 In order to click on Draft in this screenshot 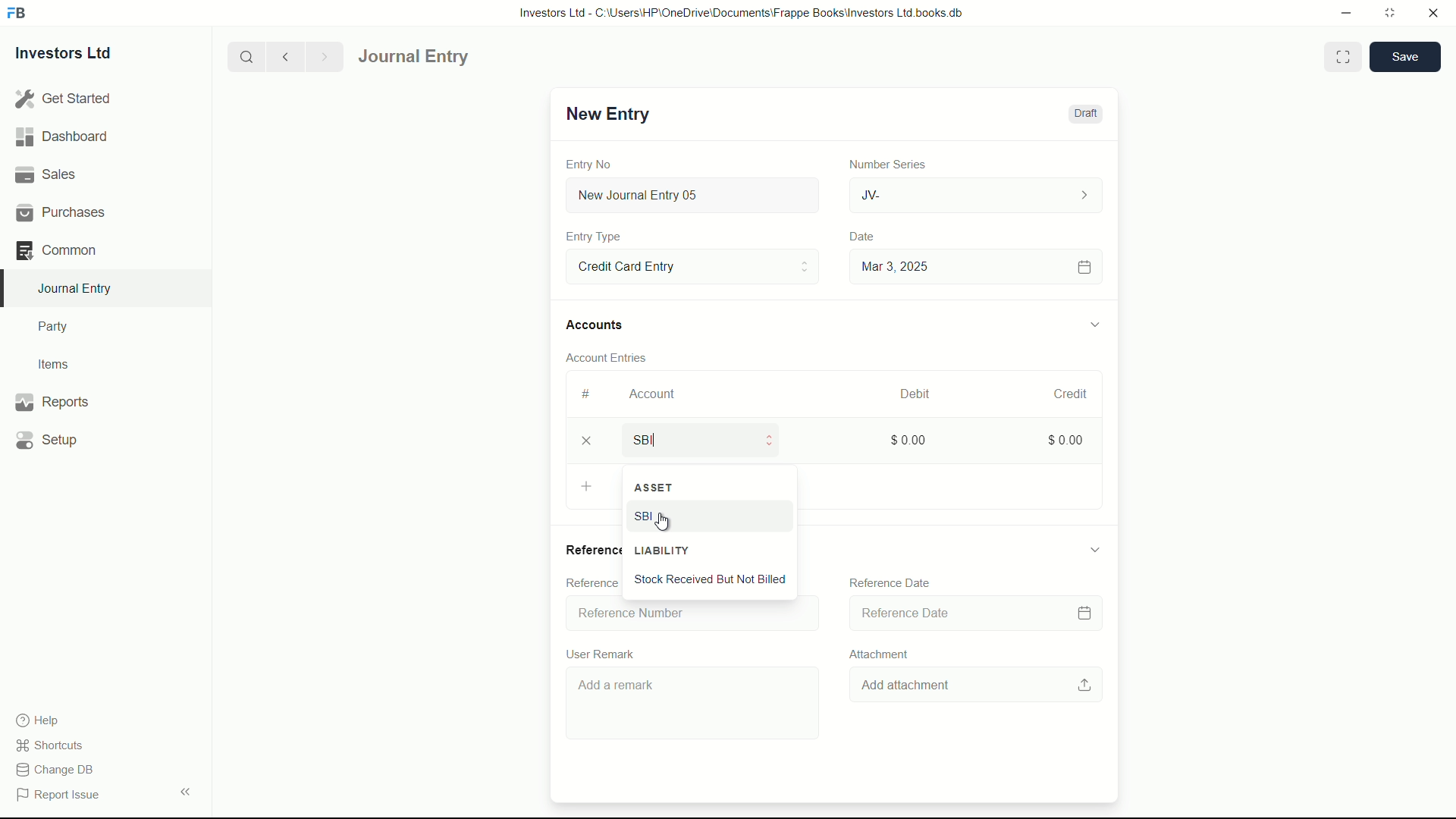, I will do `click(1084, 114)`.